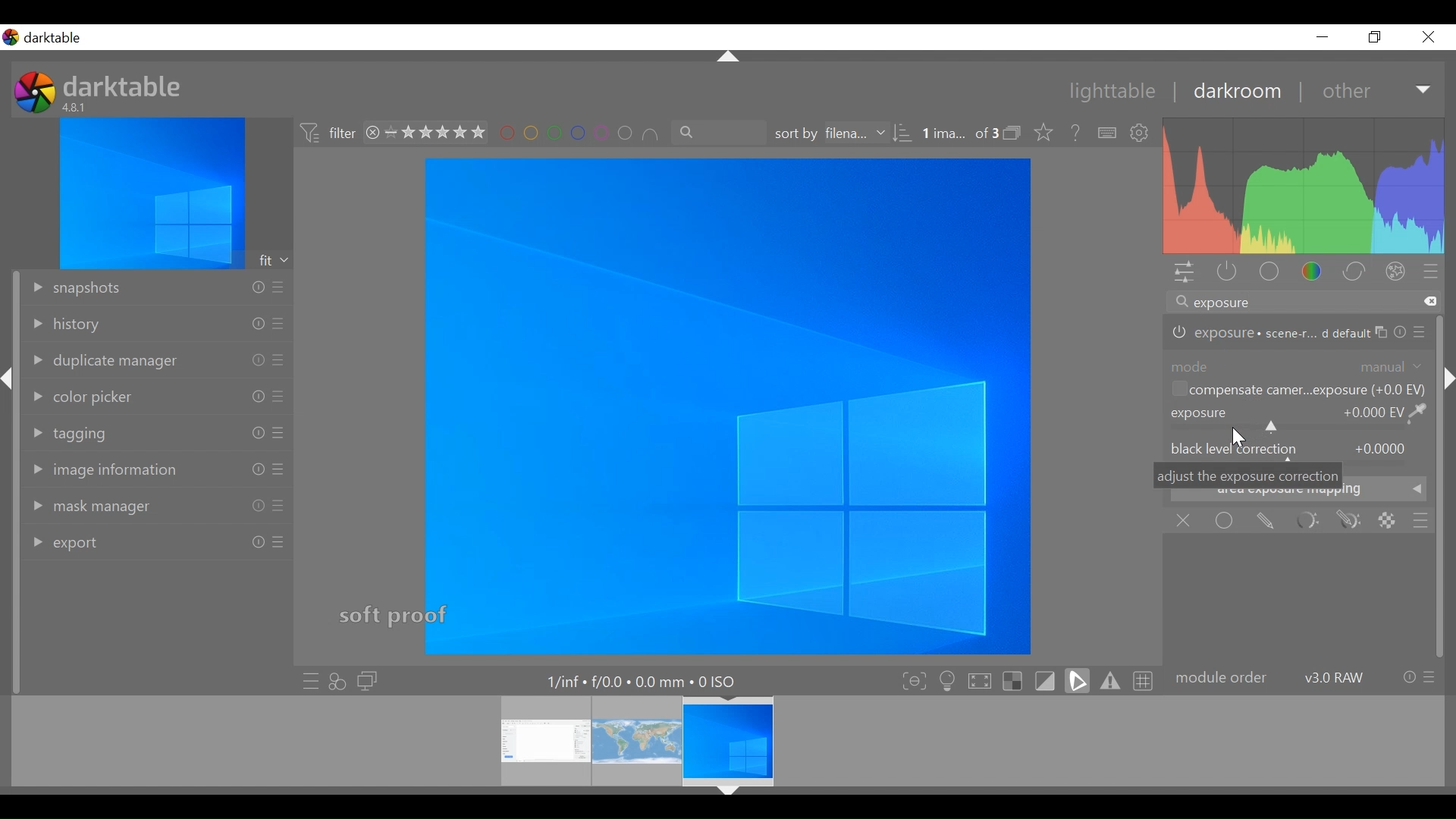  What do you see at coordinates (1012, 133) in the screenshot?
I see `expand/collapse grouped images` at bounding box center [1012, 133].